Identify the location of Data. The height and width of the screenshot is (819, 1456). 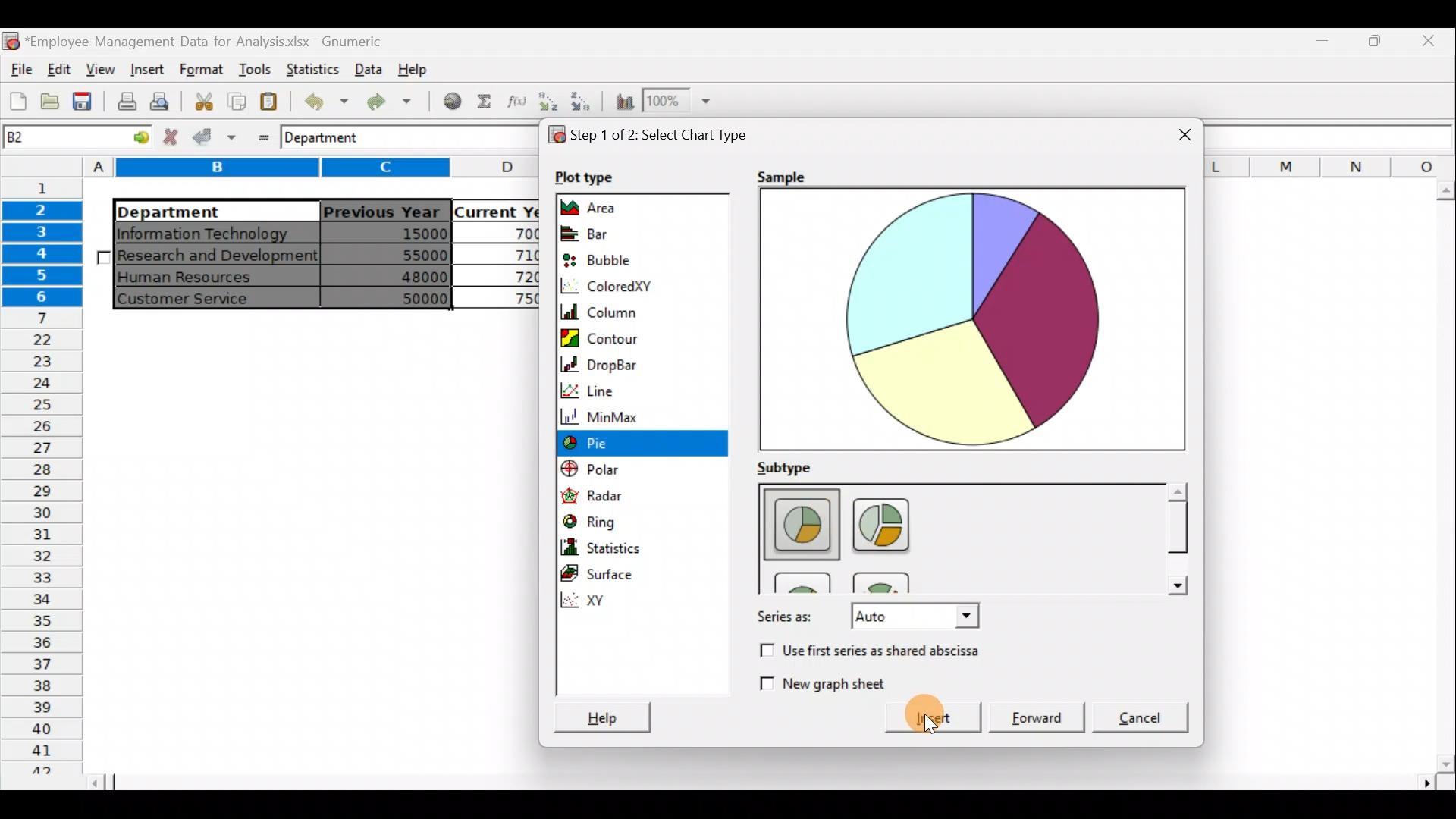
(368, 67).